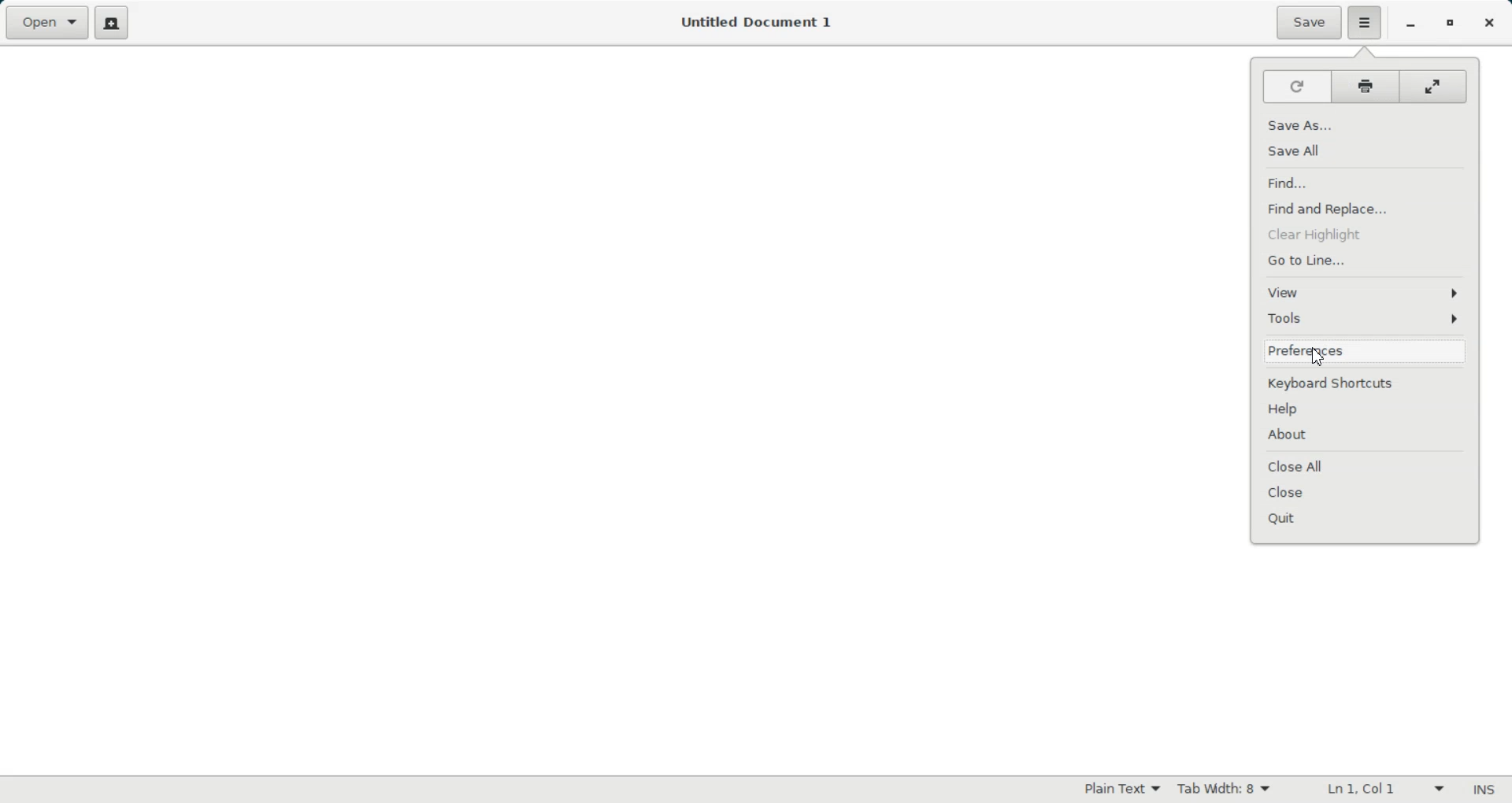 This screenshot has width=1512, height=803. I want to click on Full screen, so click(1434, 87).